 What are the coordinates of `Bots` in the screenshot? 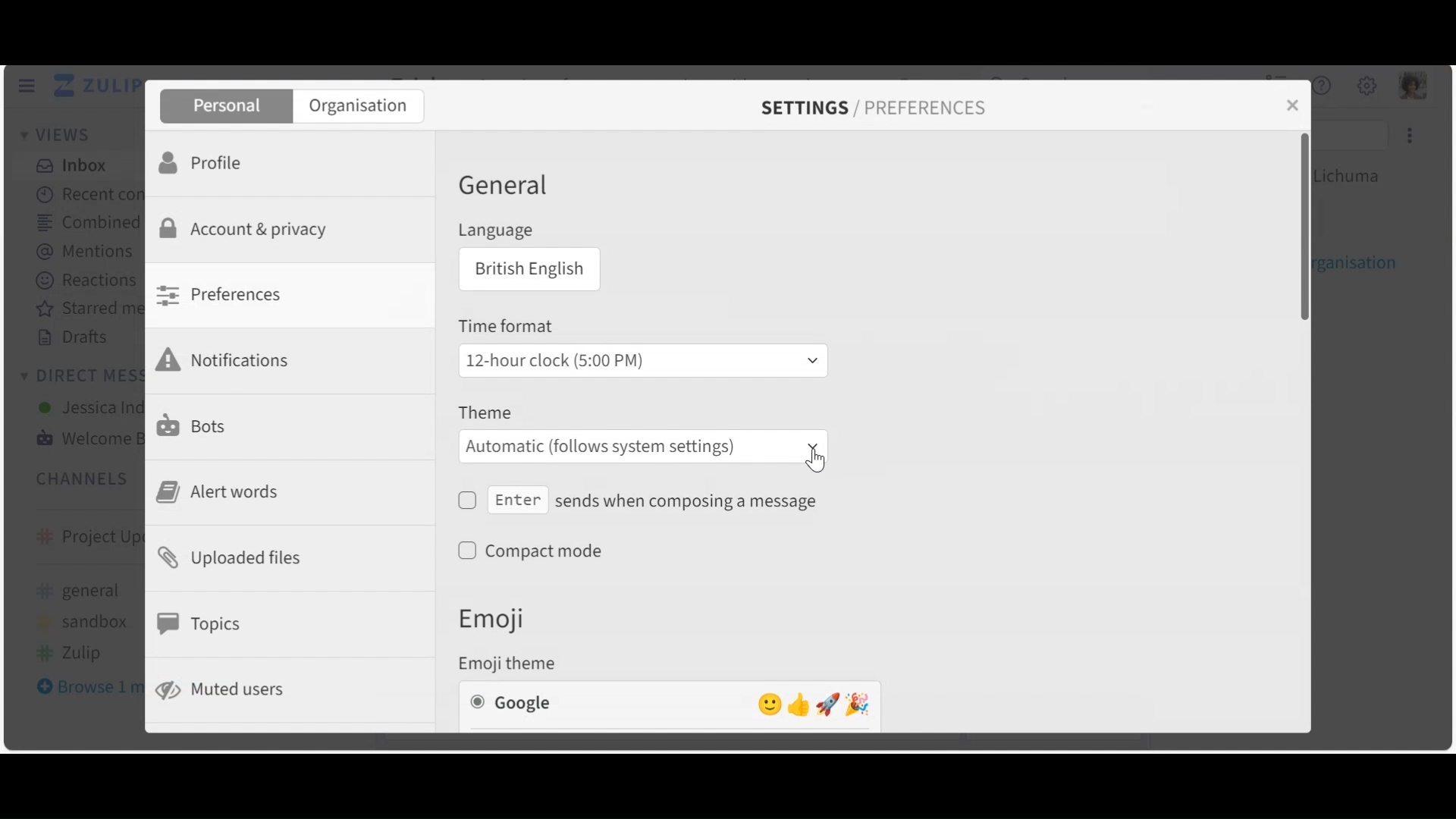 It's located at (194, 425).